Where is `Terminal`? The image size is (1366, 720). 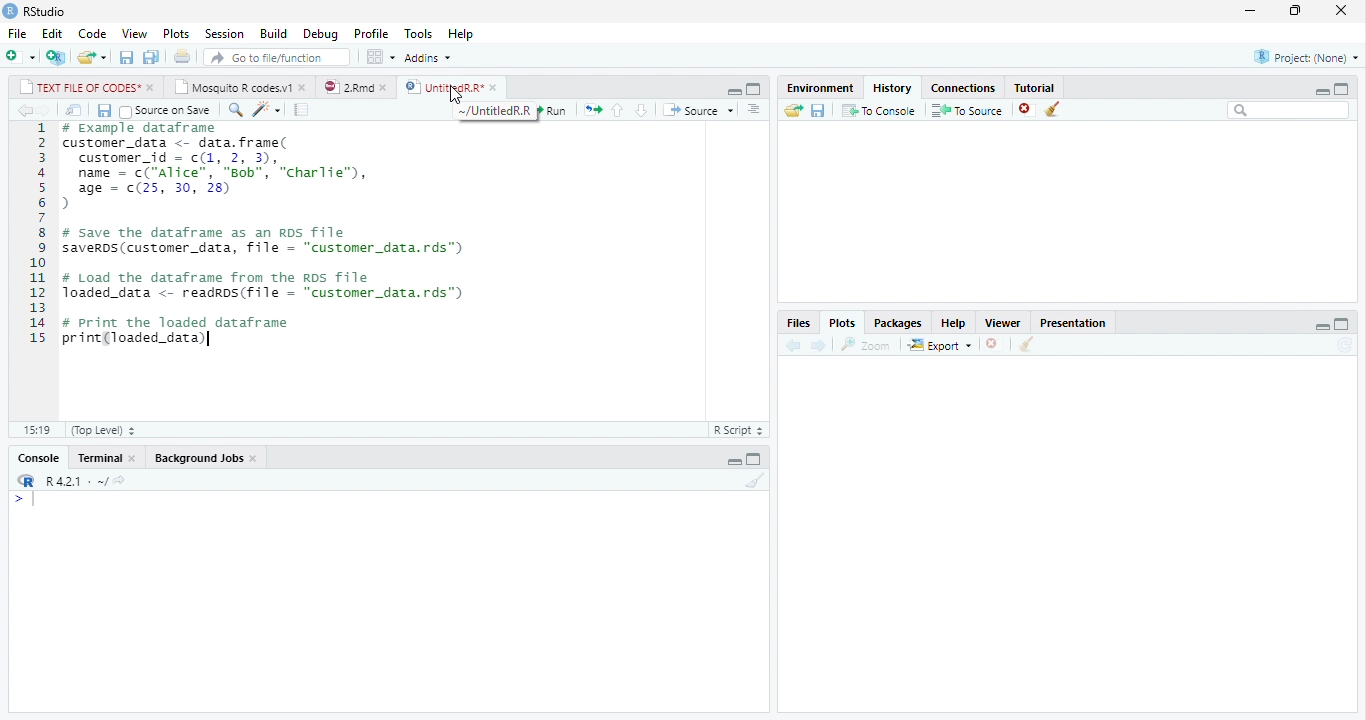 Terminal is located at coordinates (98, 458).